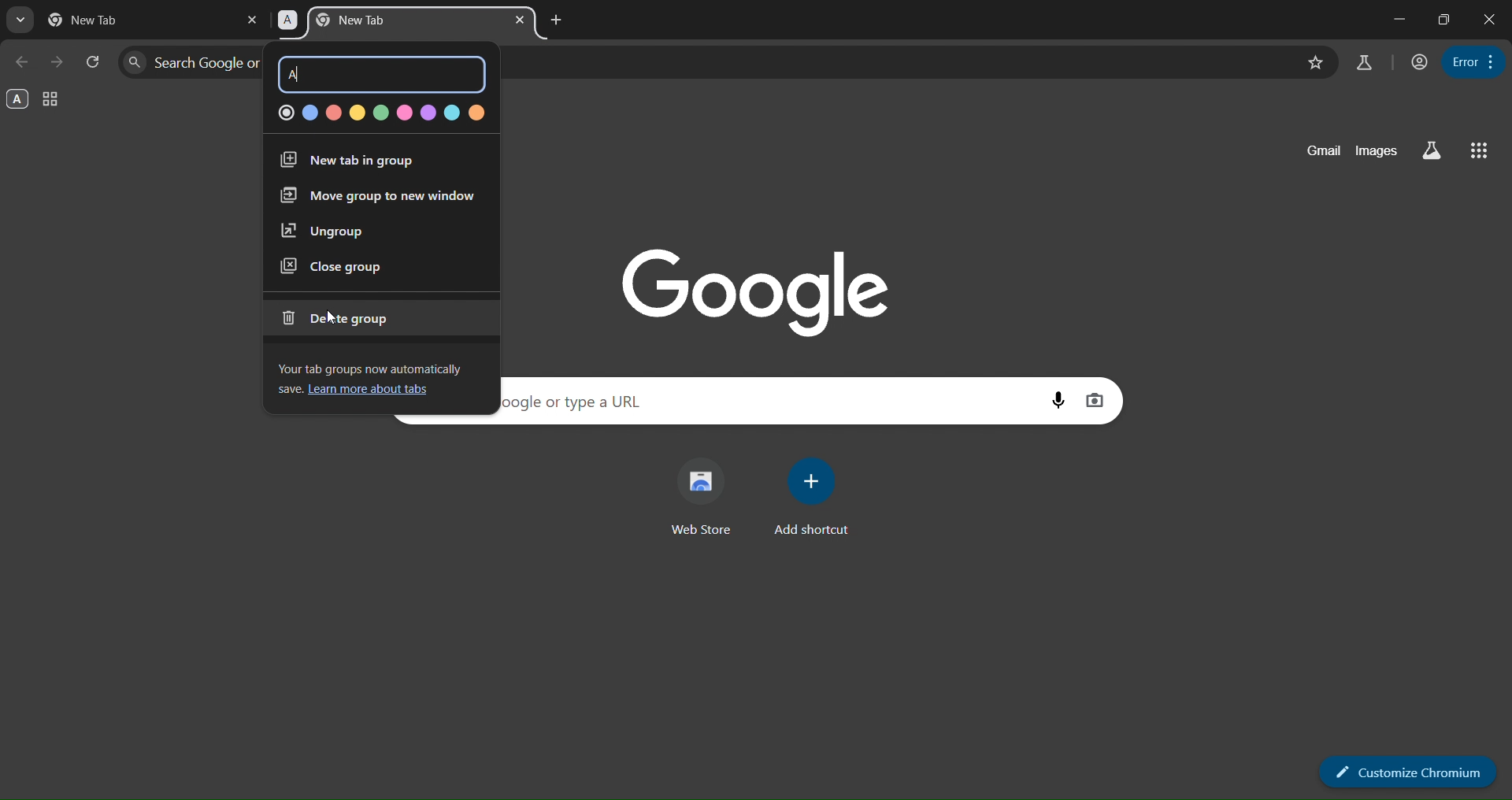 Image resolution: width=1512 pixels, height=800 pixels. What do you see at coordinates (24, 62) in the screenshot?
I see `go back one page` at bounding box center [24, 62].